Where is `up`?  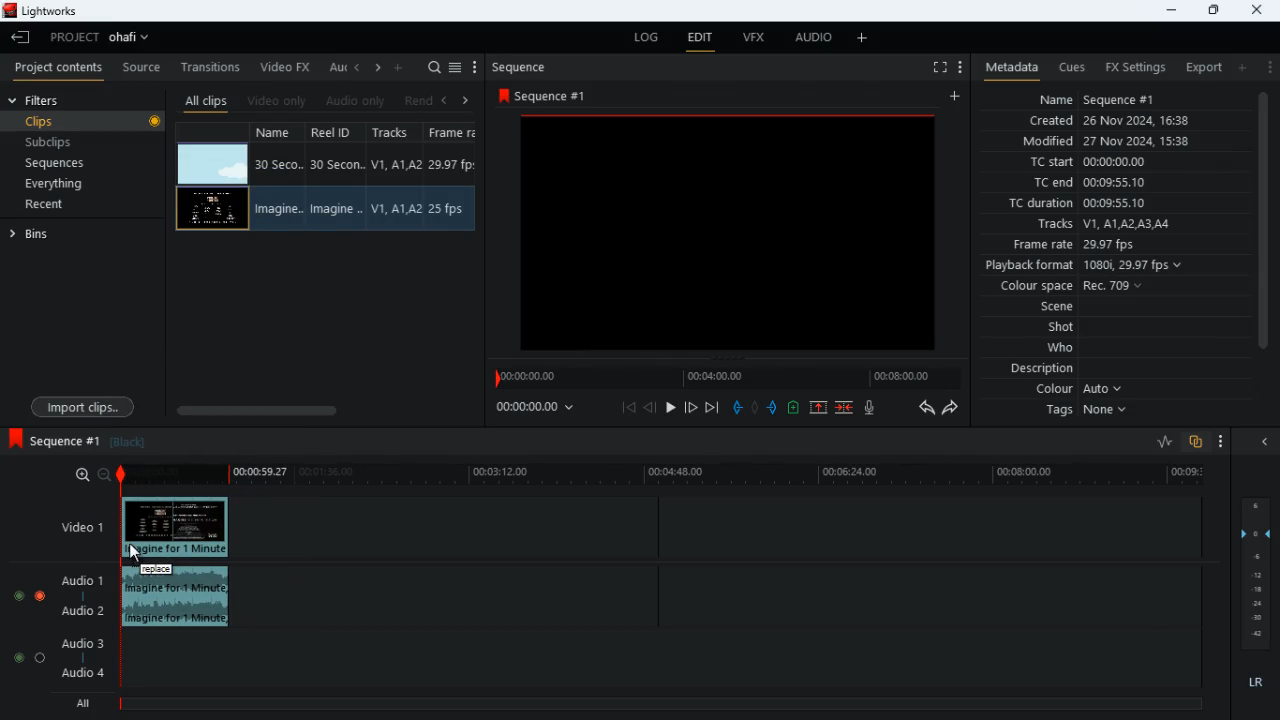
up is located at coordinates (819, 408).